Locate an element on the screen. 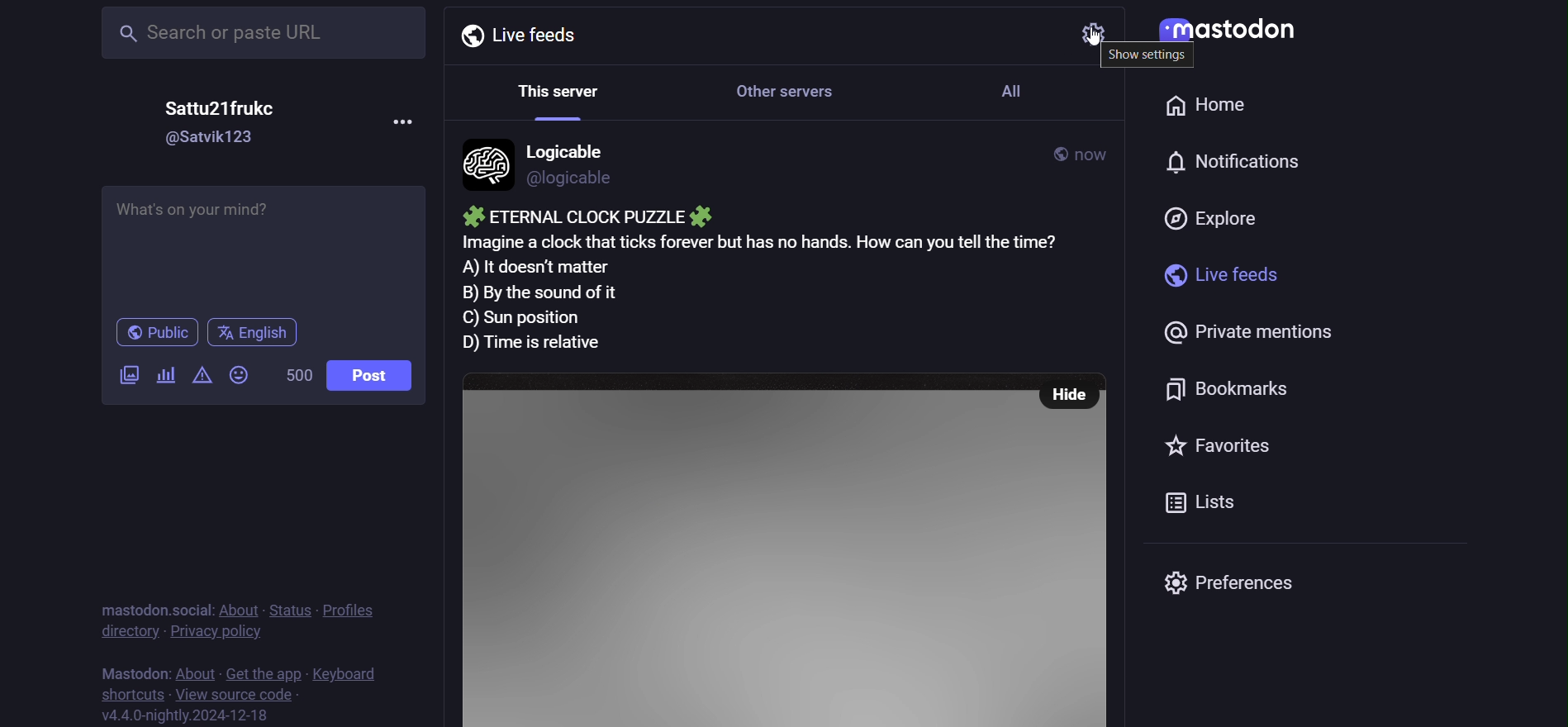  notification is located at coordinates (1228, 164).